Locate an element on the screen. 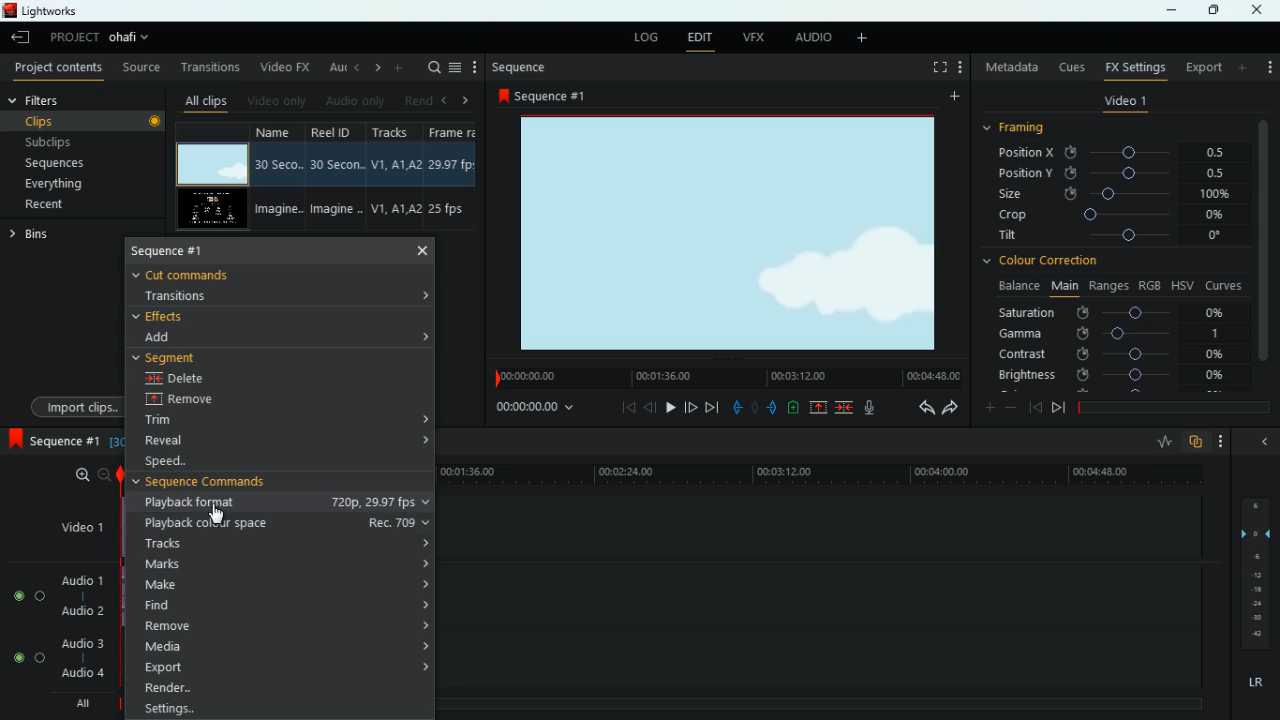 The image size is (1280, 720). remove is located at coordinates (190, 399).